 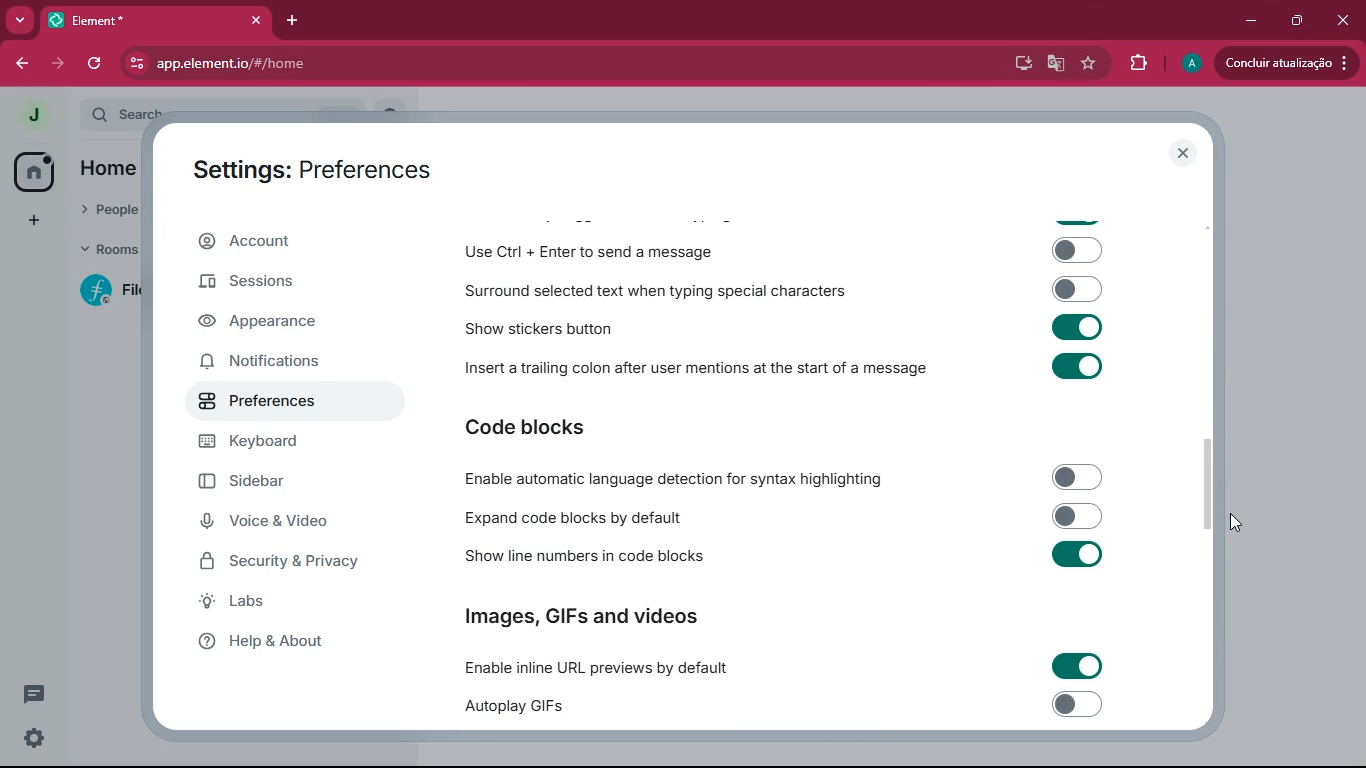 I want to click on Images, GIFs and videos, so click(x=585, y=614).